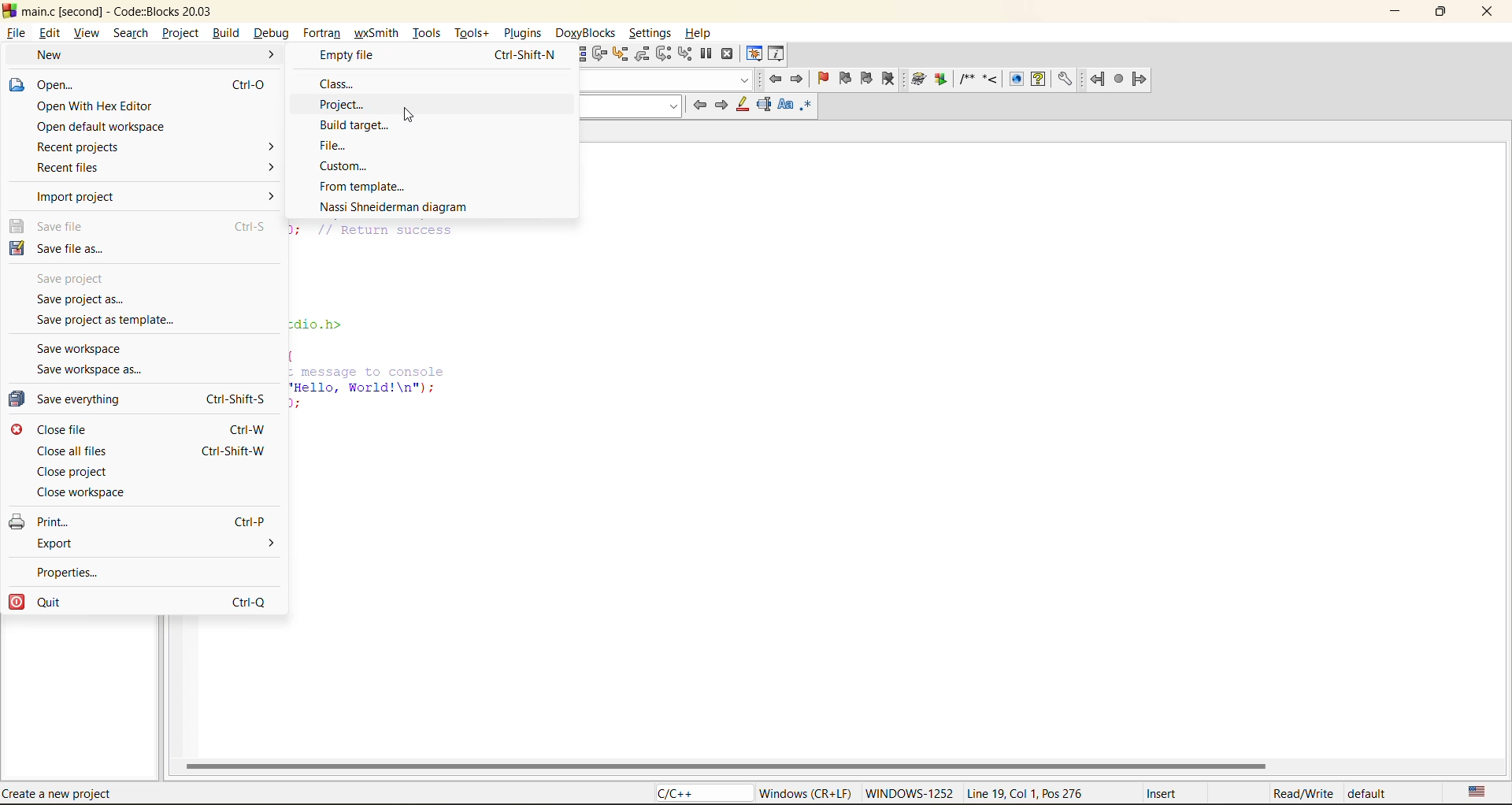 The height and width of the screenshot is (805, 1512). I want to click on >, so click(269, 544).